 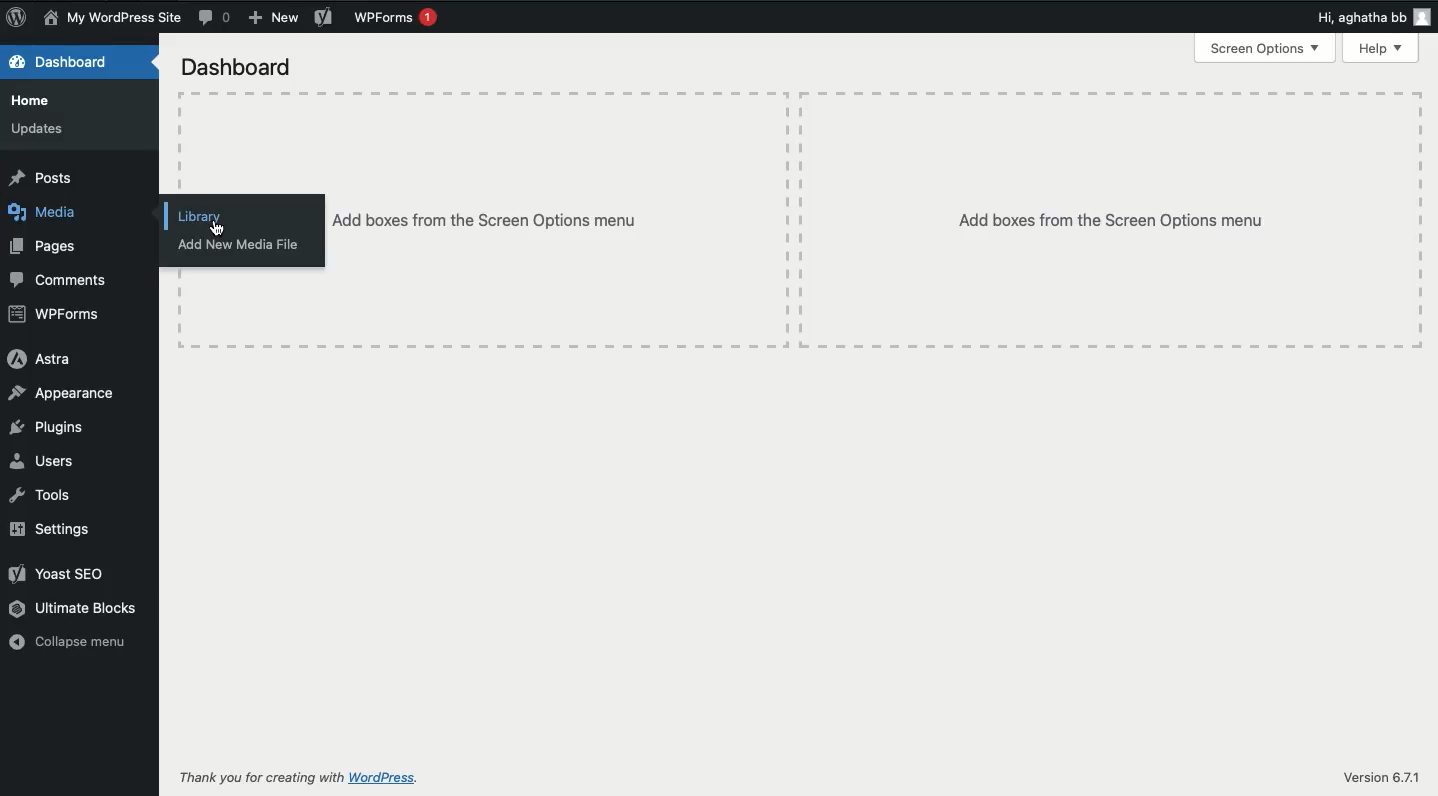 What do you see at coordinates (324, 19) in the screenshot?
I see `Yoast` at bounding box center [324, 19].